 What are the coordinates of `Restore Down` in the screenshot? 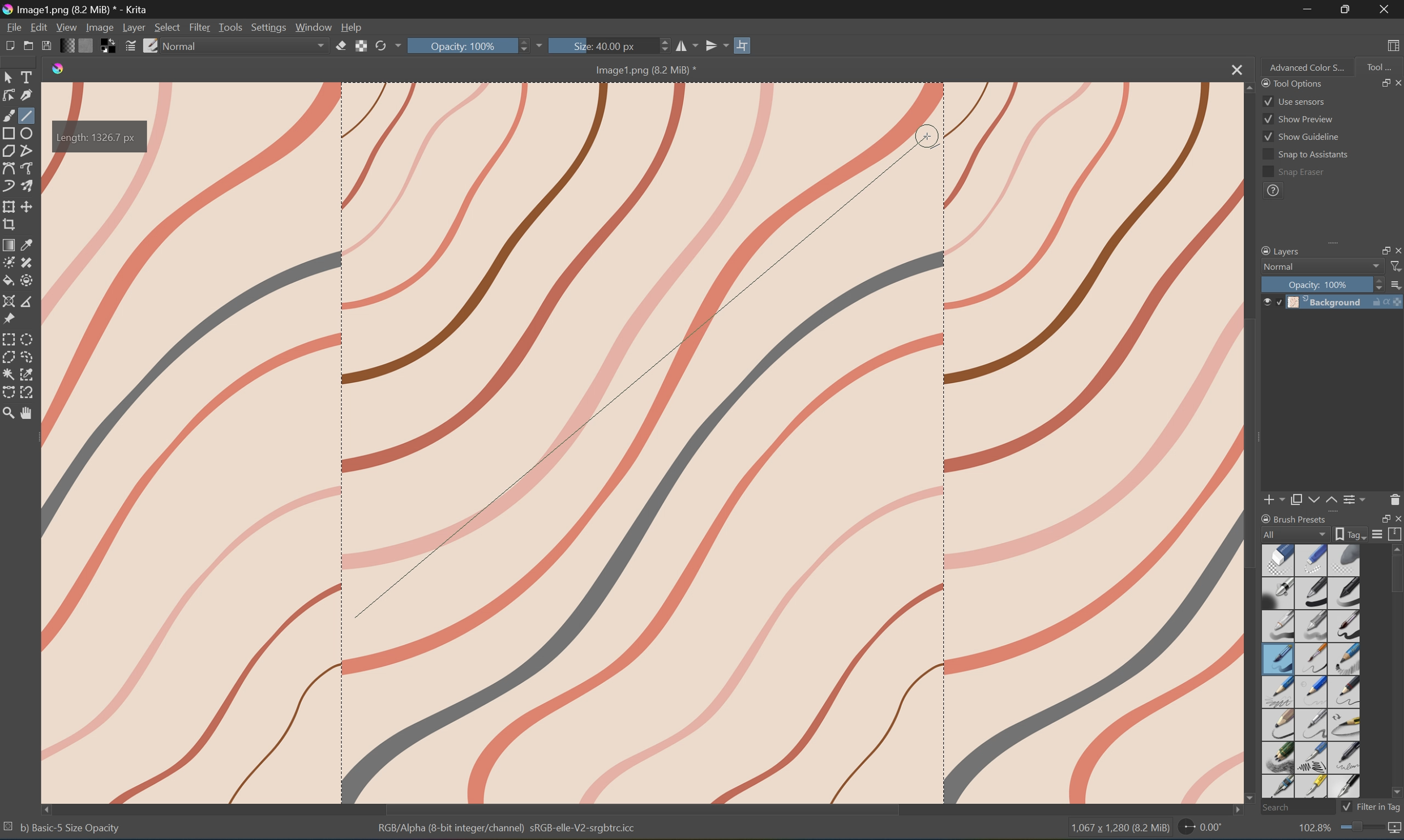 It's located at (1380, 518).